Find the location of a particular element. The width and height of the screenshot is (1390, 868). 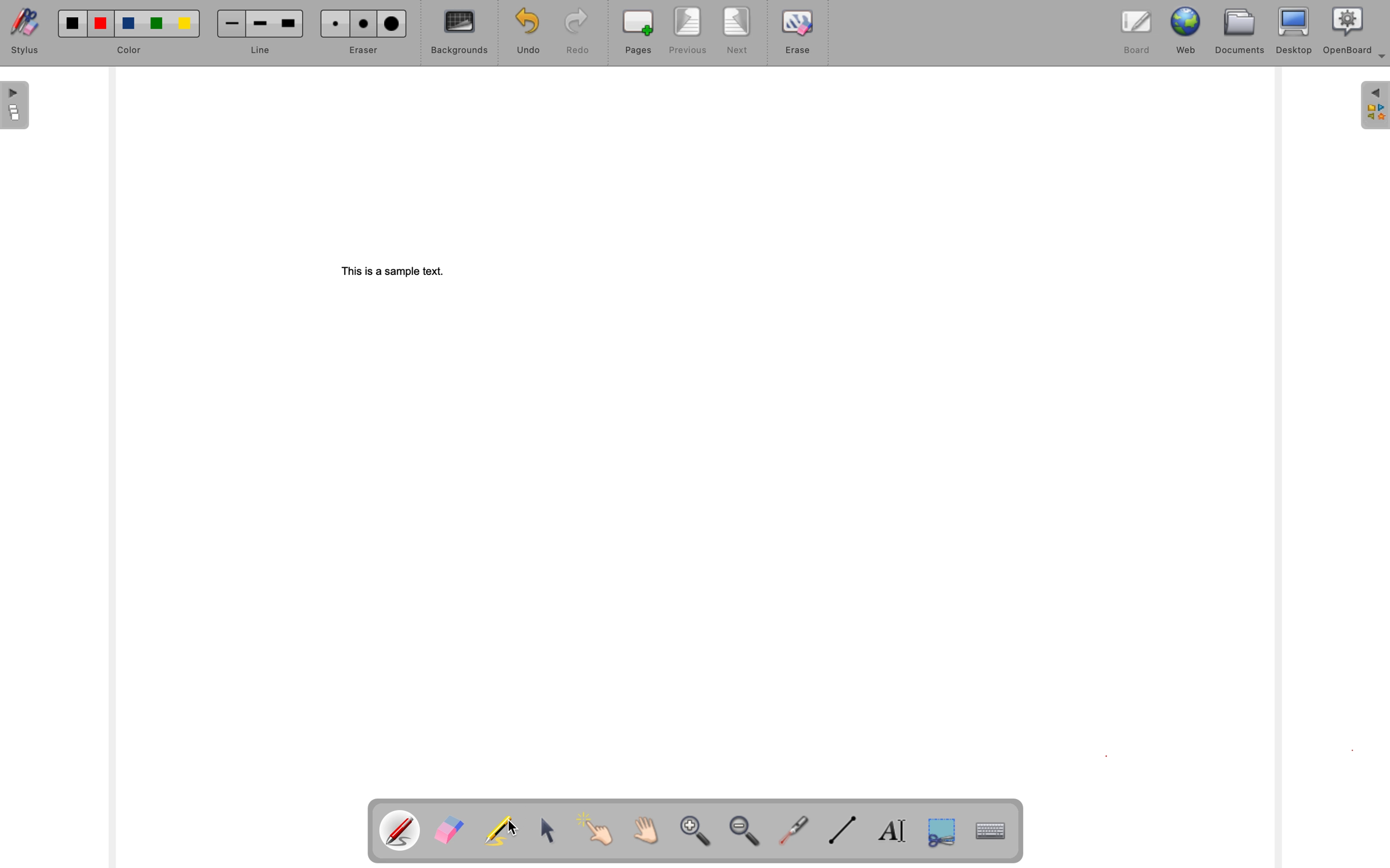

Highlight is located at coordinates (504, 828).